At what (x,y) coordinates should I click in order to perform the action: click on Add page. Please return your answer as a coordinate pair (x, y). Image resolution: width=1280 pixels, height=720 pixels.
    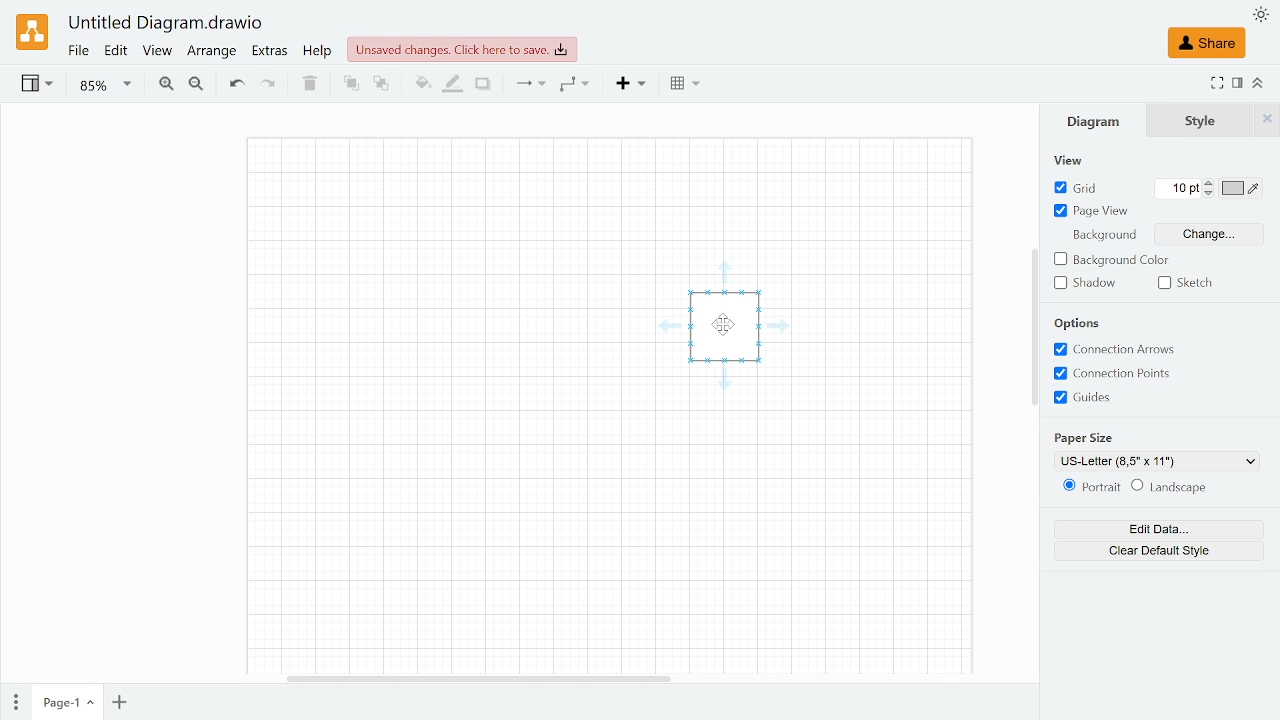
    Looking at the image, I should click on (119, 703).